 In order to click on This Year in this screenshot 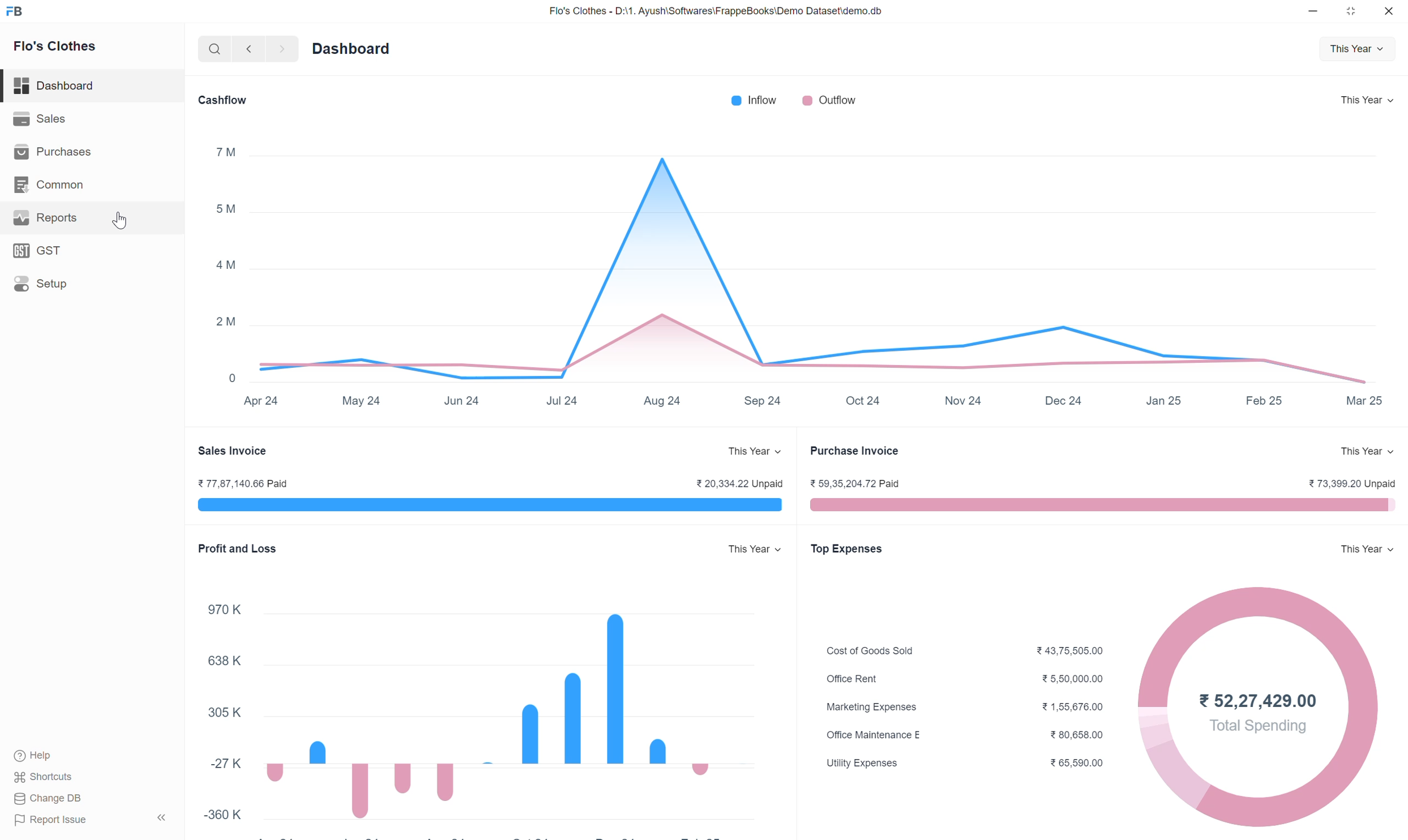, I will do `click(741, 546)`.